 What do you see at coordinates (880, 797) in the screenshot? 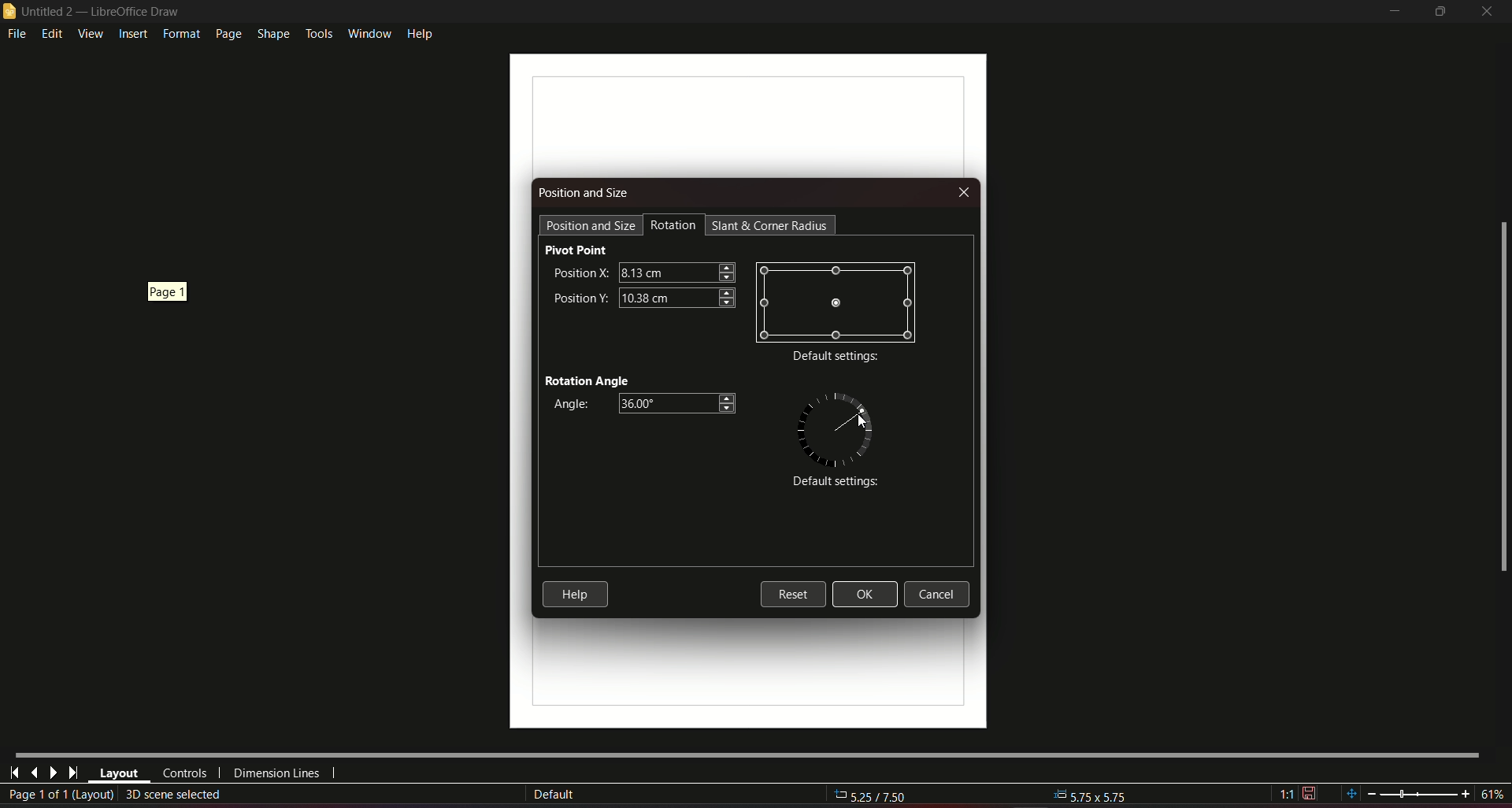
I see `5.25/7.50` at bounding box center [880, 797].